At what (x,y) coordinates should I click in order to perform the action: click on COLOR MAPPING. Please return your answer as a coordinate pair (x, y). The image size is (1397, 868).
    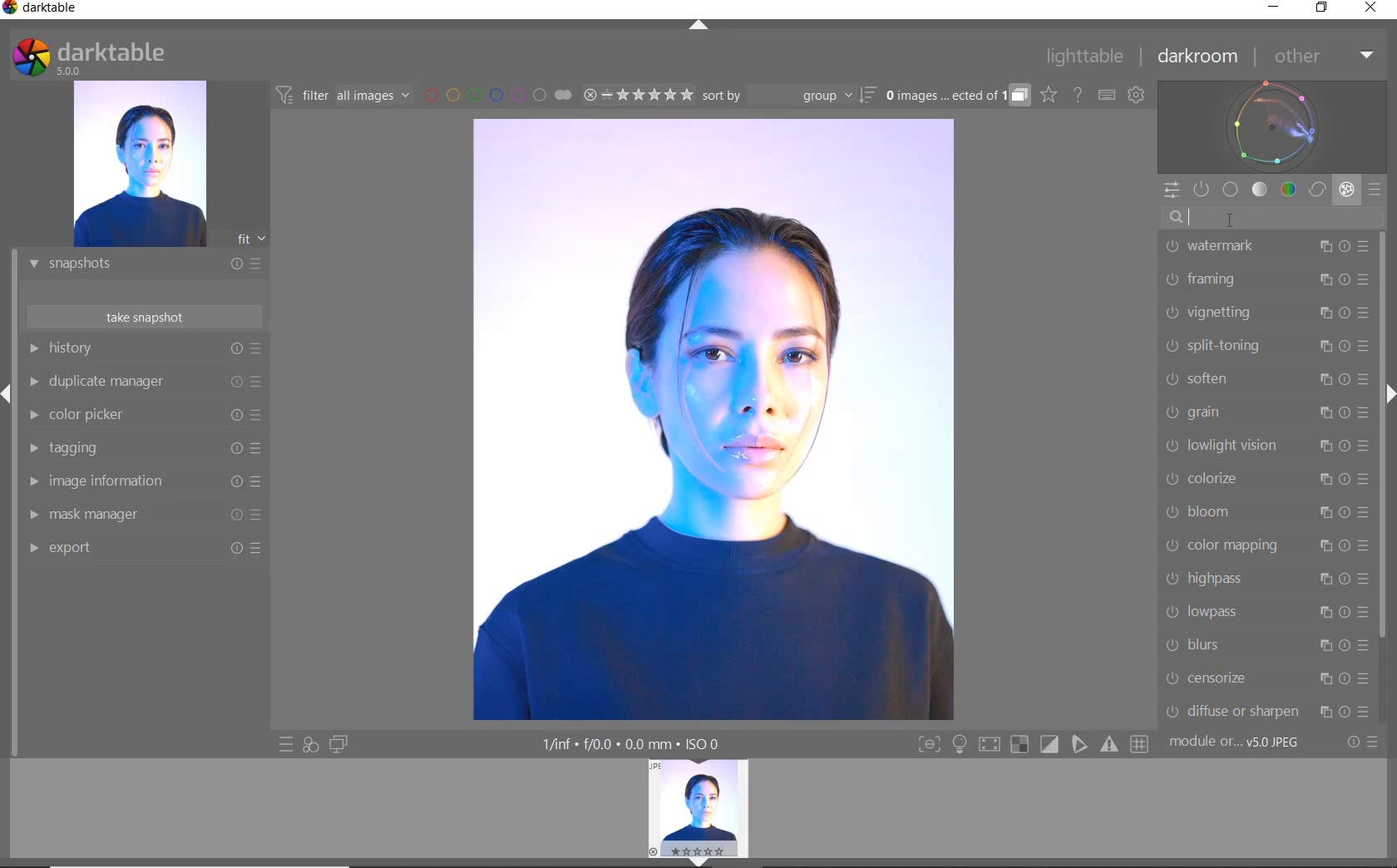
    Looking at the image, I should click on (1266, 545).